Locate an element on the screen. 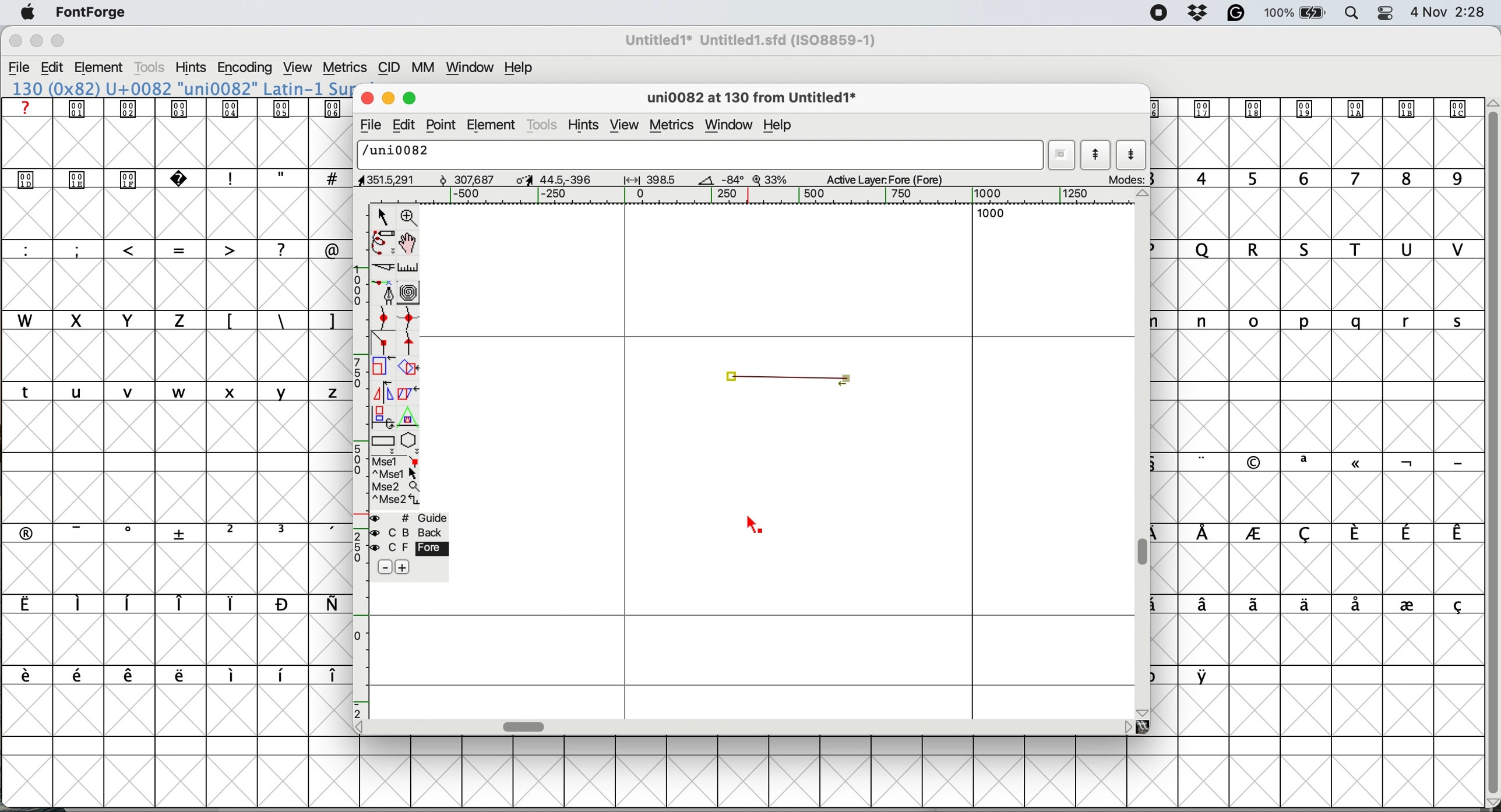  scroll by hand is located at coordinates (410, 243).